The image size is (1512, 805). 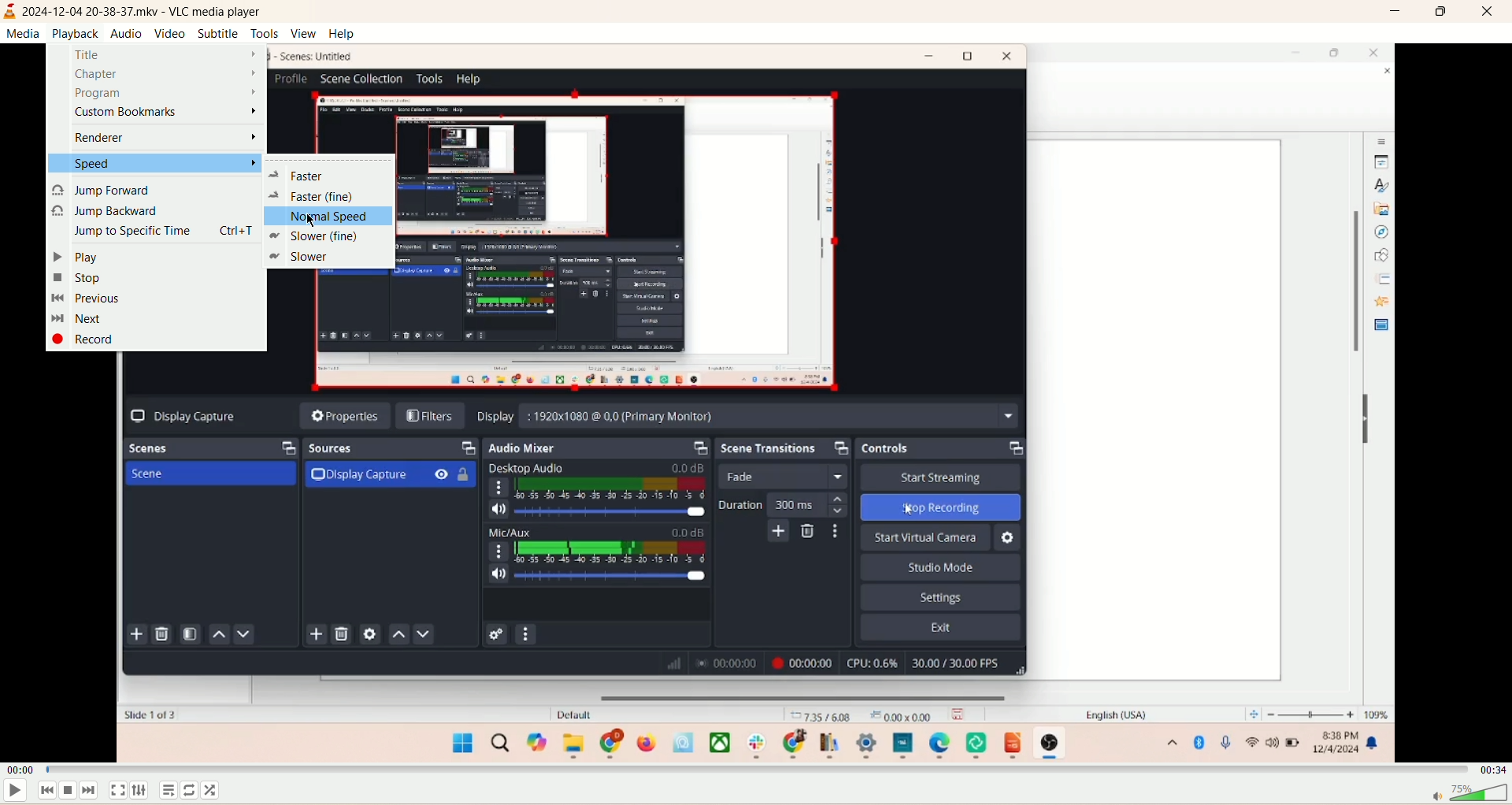 I want to click on volume bar, so click(x=1466, y=793).